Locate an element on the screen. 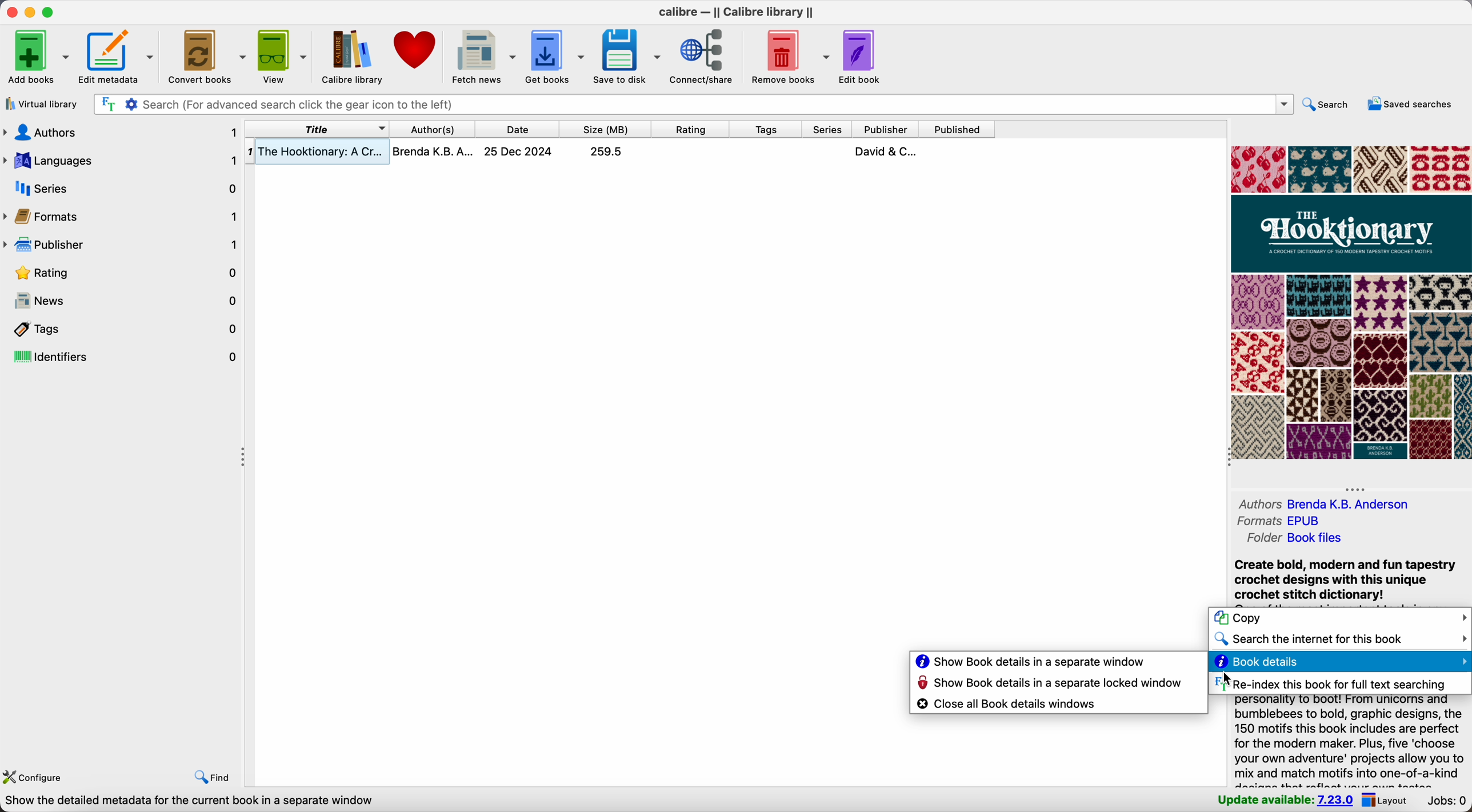 This screenshot has height=812, width=1472. cursor is located at coordinates (1225, 679).